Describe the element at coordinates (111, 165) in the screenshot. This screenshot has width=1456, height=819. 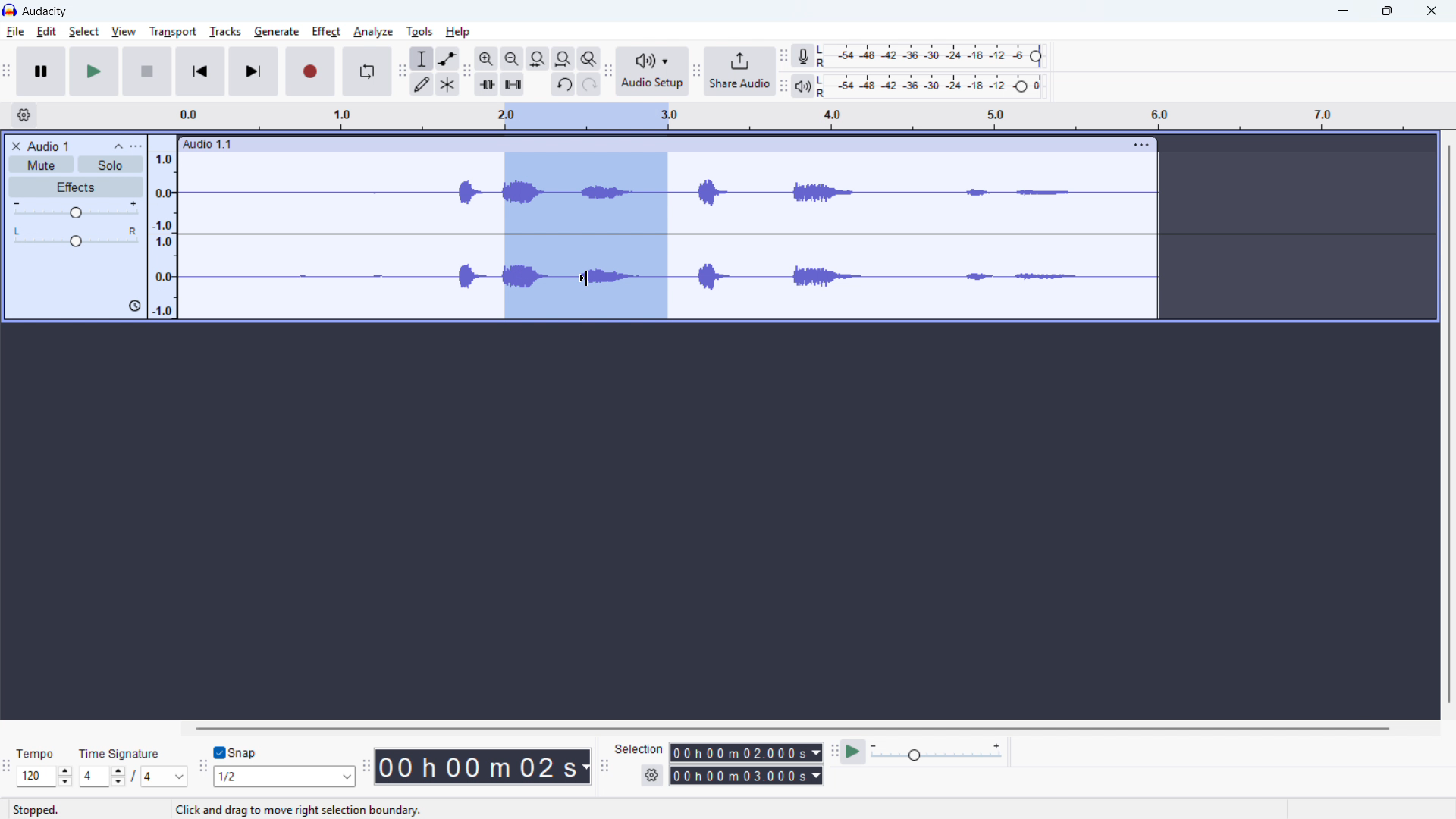
I see `Solo` at that location.